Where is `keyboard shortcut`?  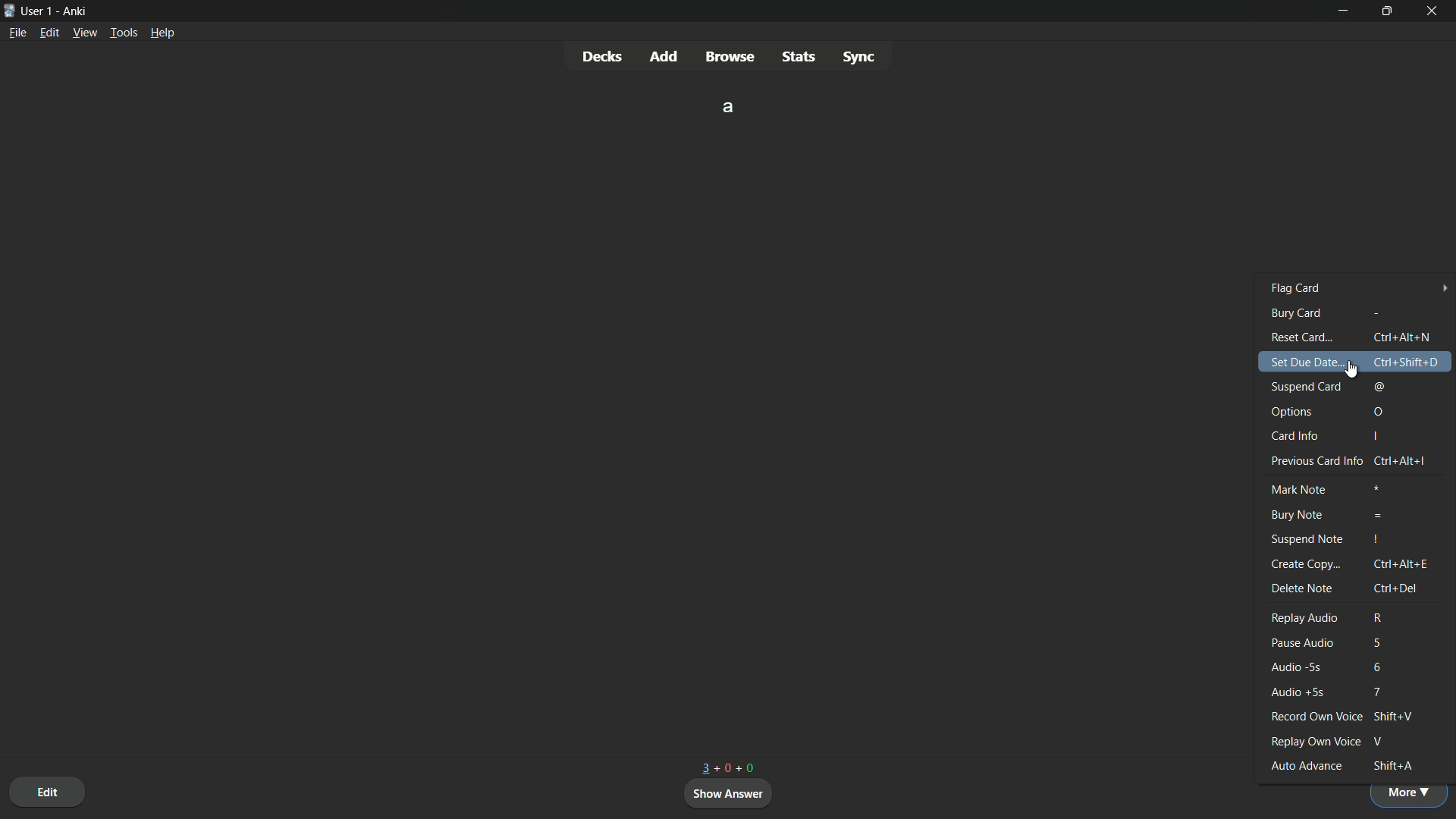 keyboard shortcut is located at coordinates (1376, 539).